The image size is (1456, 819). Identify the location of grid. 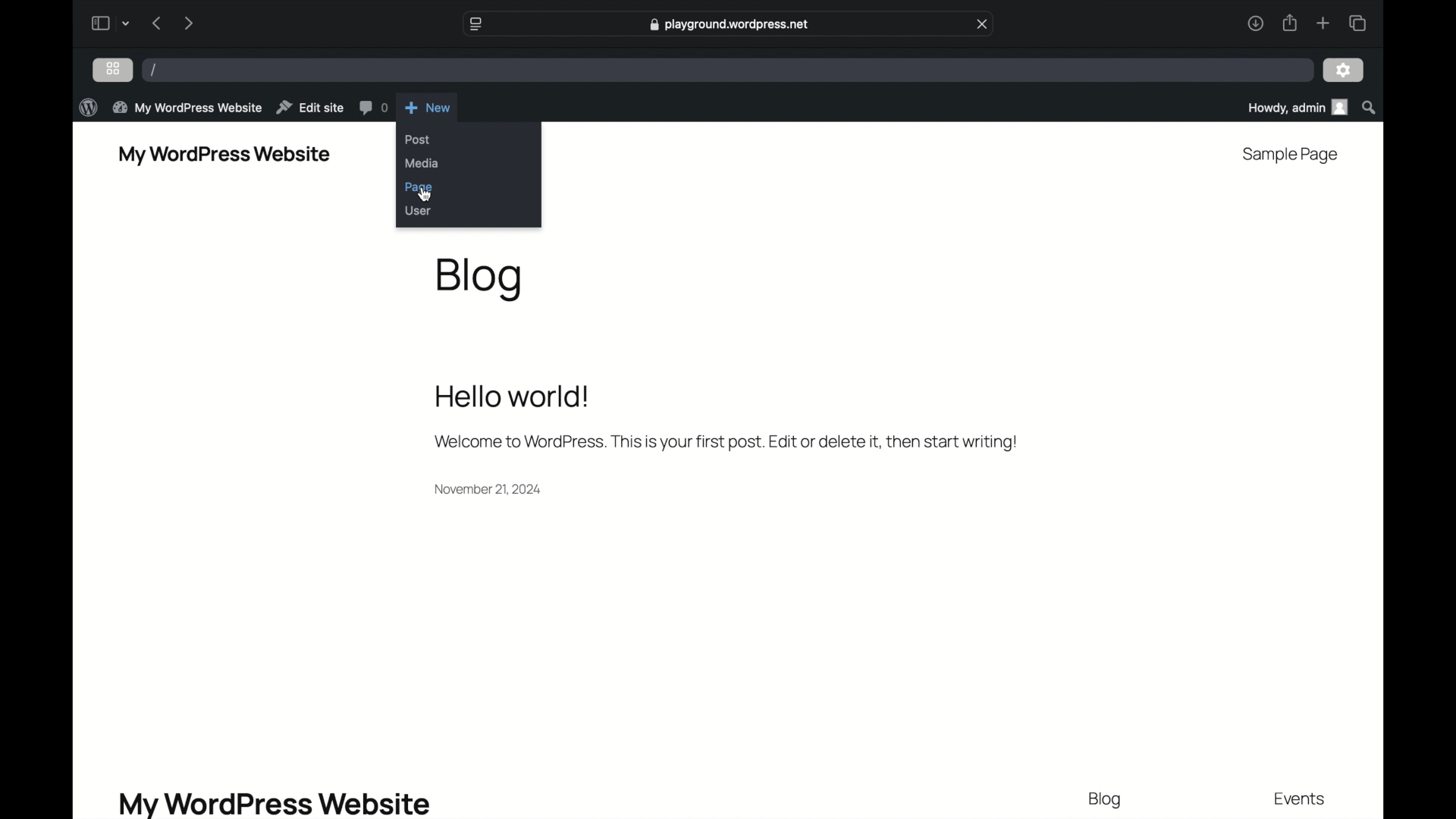
(113, 68).